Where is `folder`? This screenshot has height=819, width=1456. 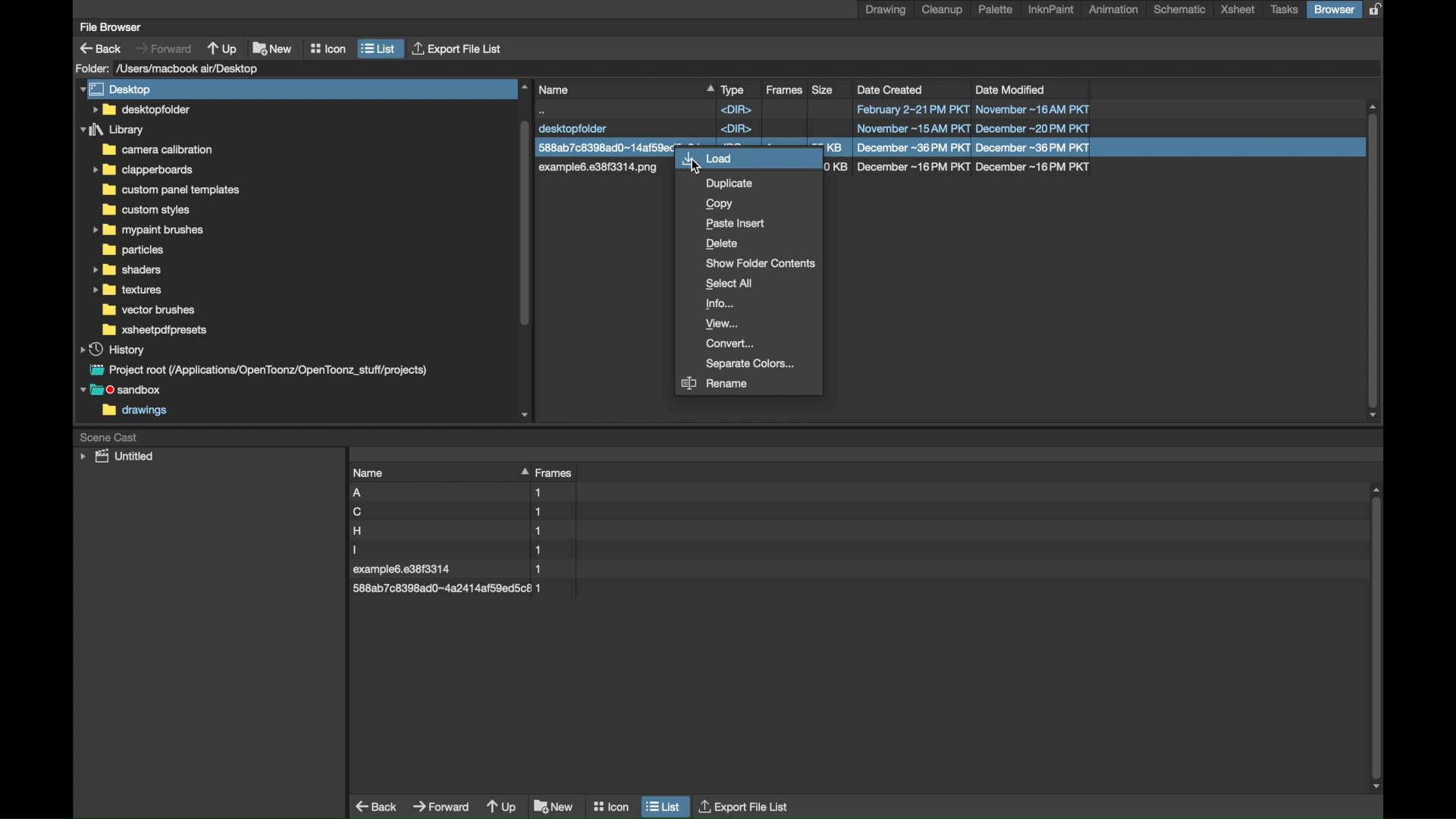
folder is located at coordinates (113, 130).